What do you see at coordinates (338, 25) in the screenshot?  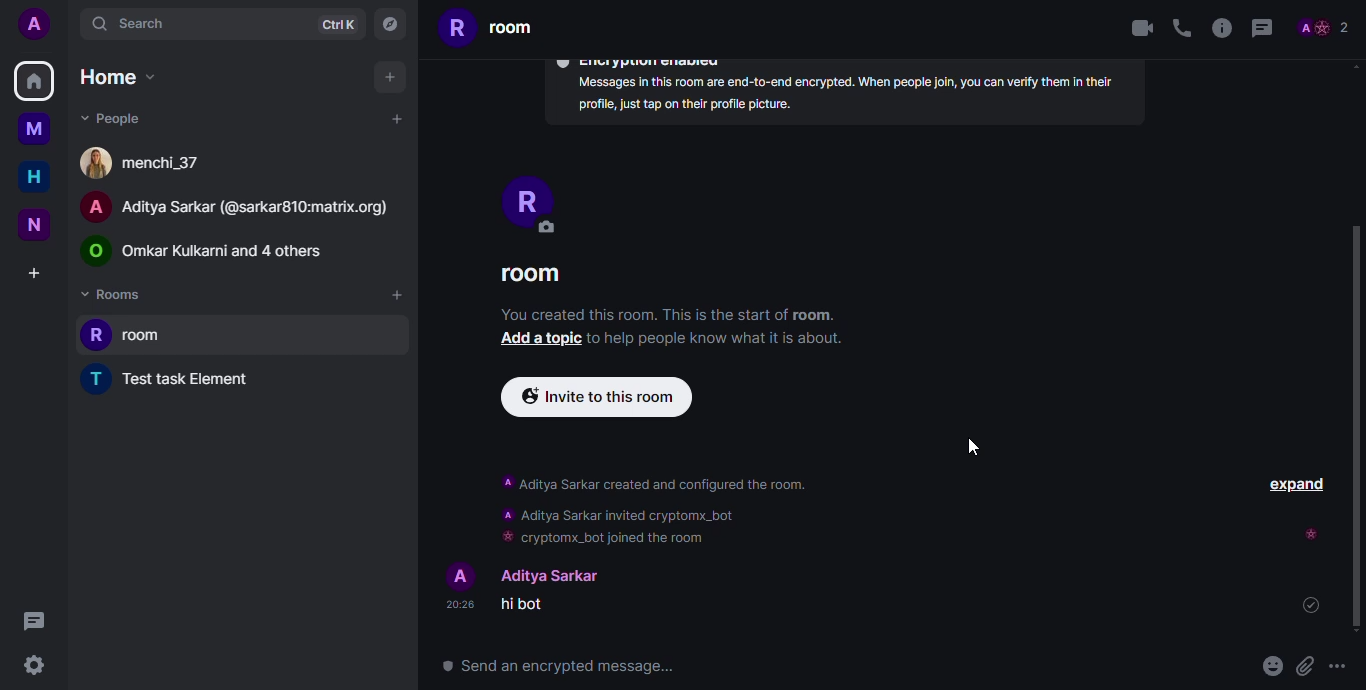 I see `ctrlK` at bounding box center [338, 25].